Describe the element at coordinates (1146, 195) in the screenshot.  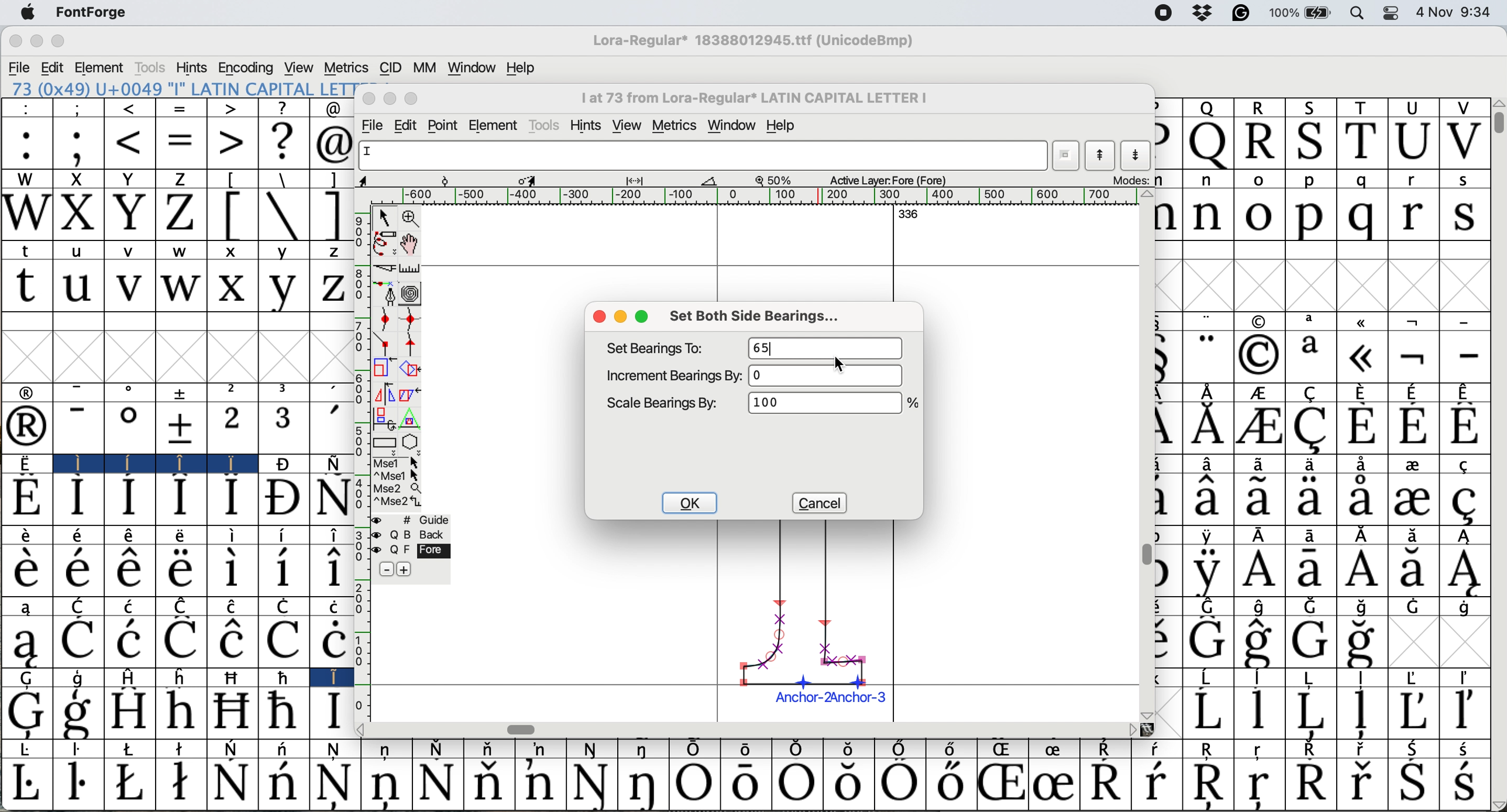
I see `` at that location.